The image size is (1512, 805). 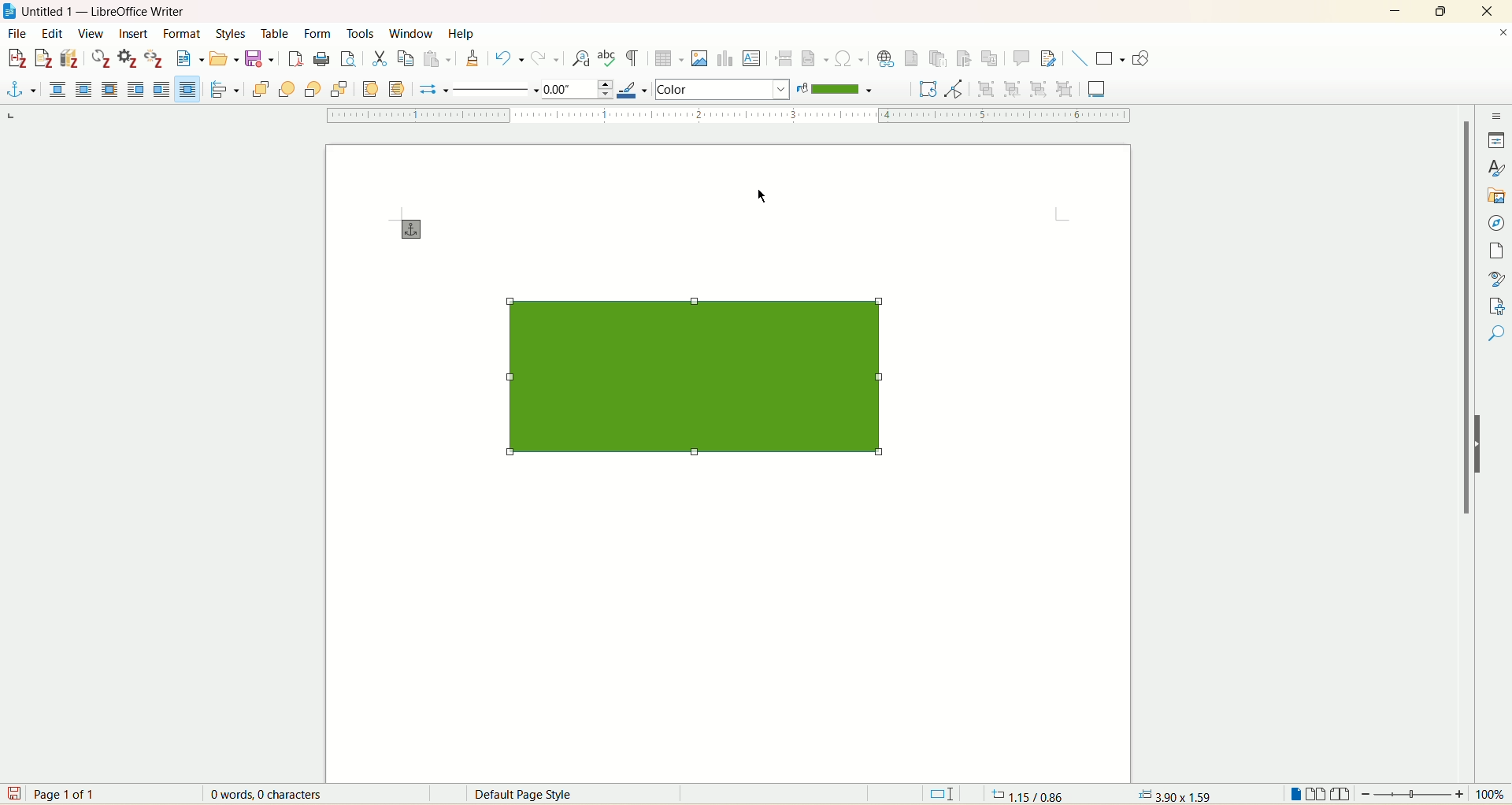 I want to click on insert caption, so click(x=1098, y=88).